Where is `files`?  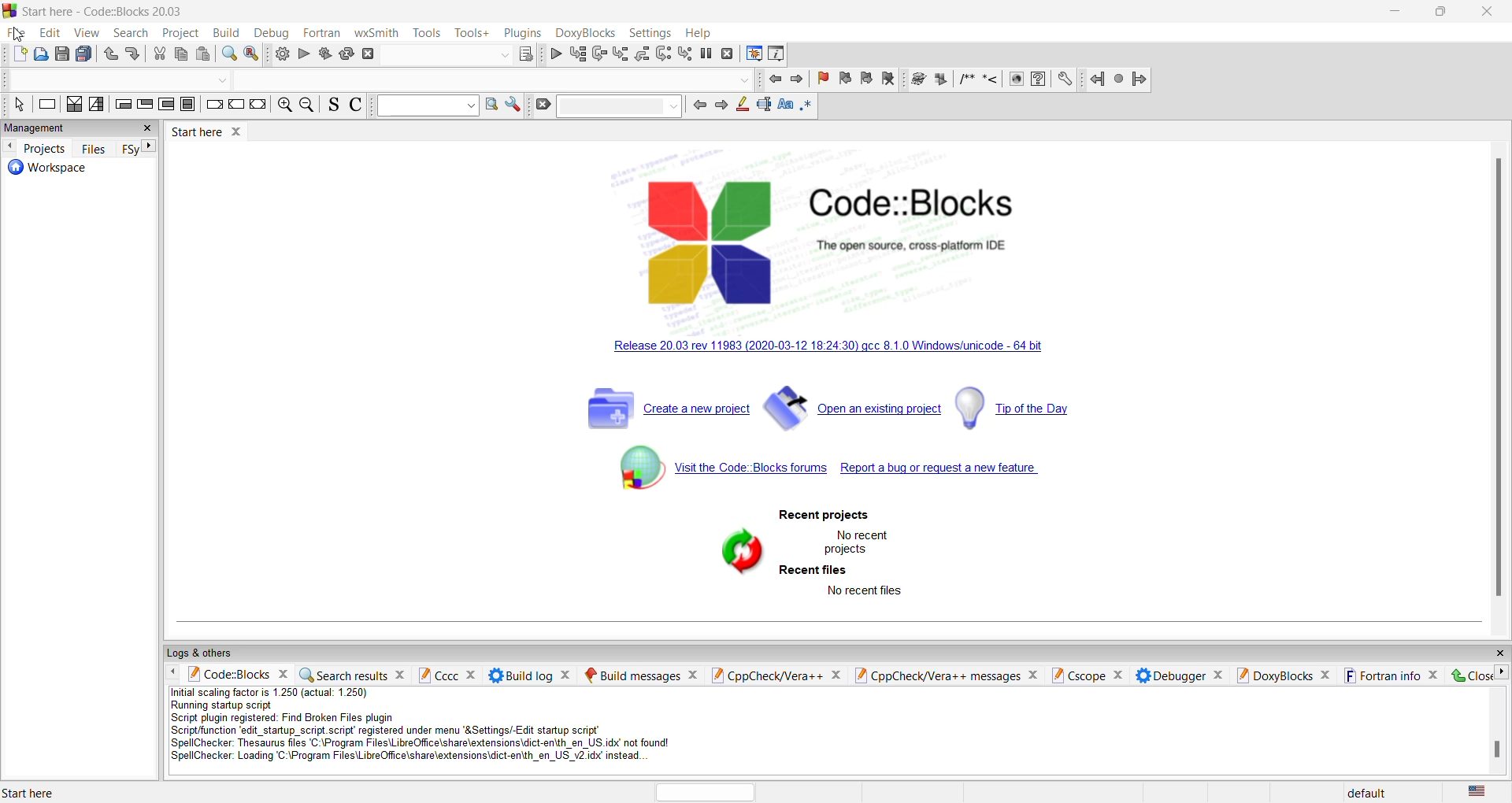 files is located at coordinates (94, 147).